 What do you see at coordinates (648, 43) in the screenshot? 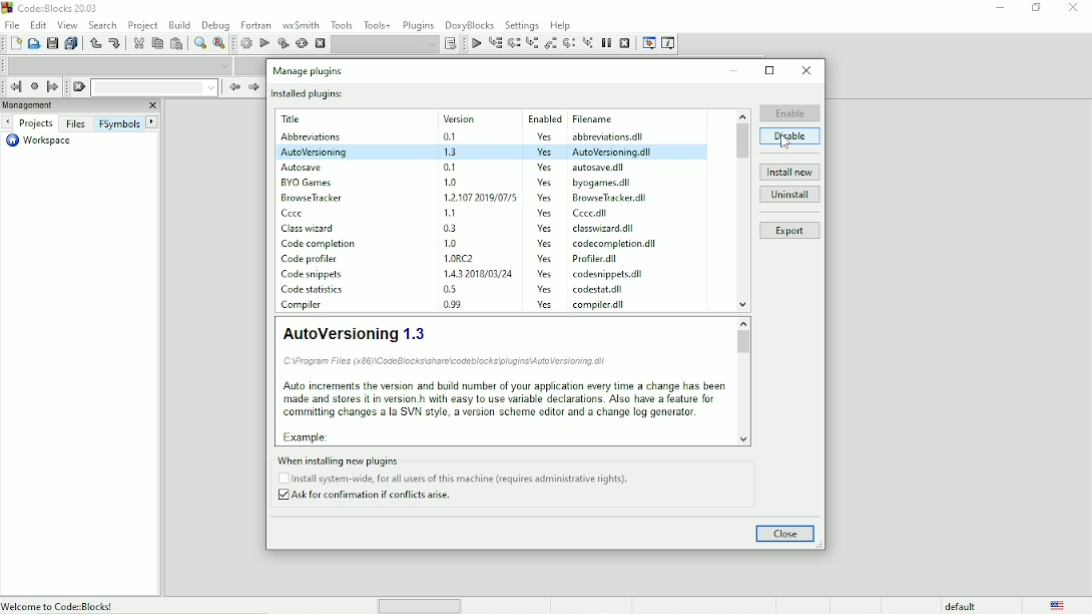
I see `Debugging window` at bounding box center [648, 43].